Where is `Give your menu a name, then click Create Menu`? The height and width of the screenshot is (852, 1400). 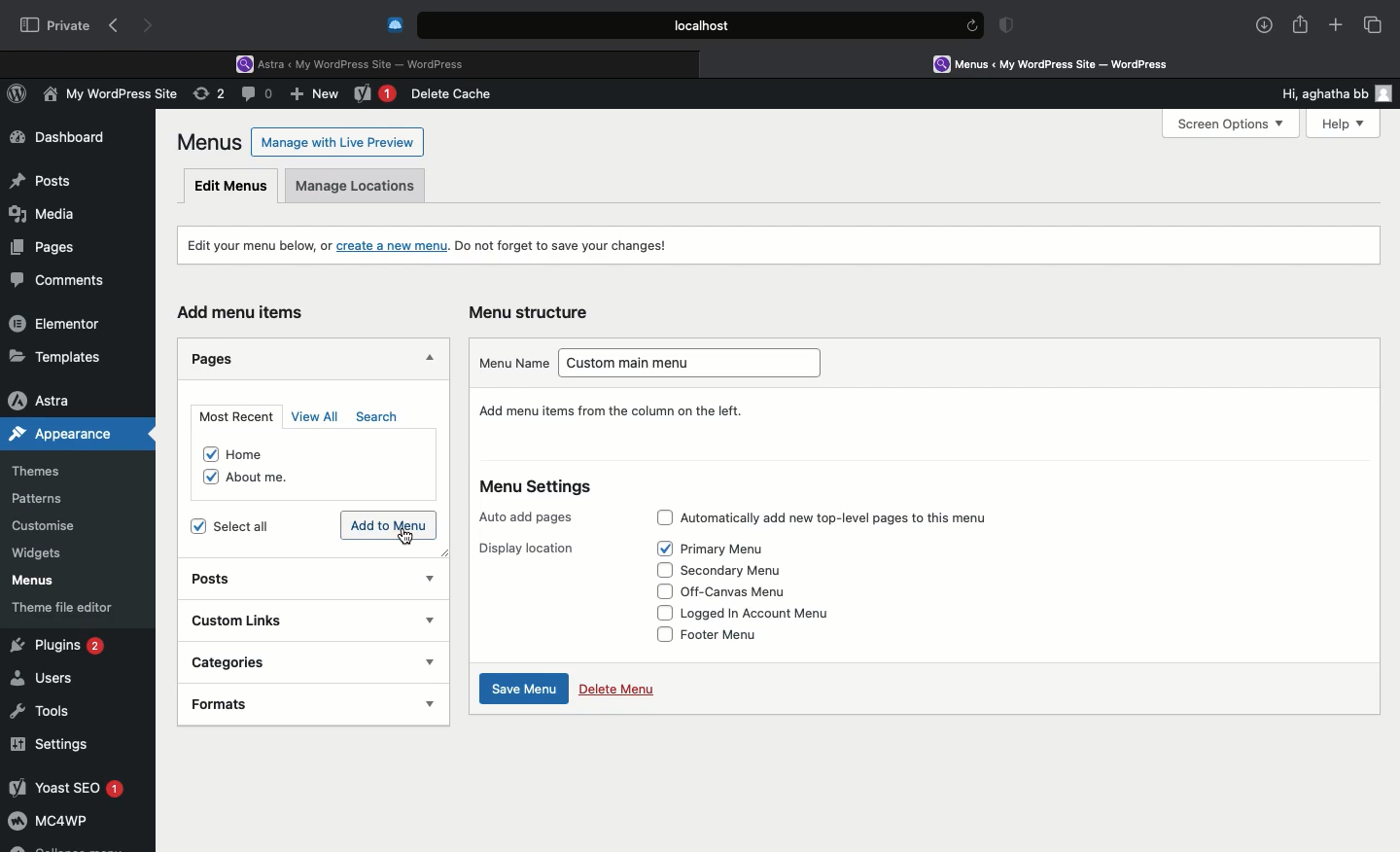 Give your menu a name, then click Create Menu is located at coordinates (629, 410).